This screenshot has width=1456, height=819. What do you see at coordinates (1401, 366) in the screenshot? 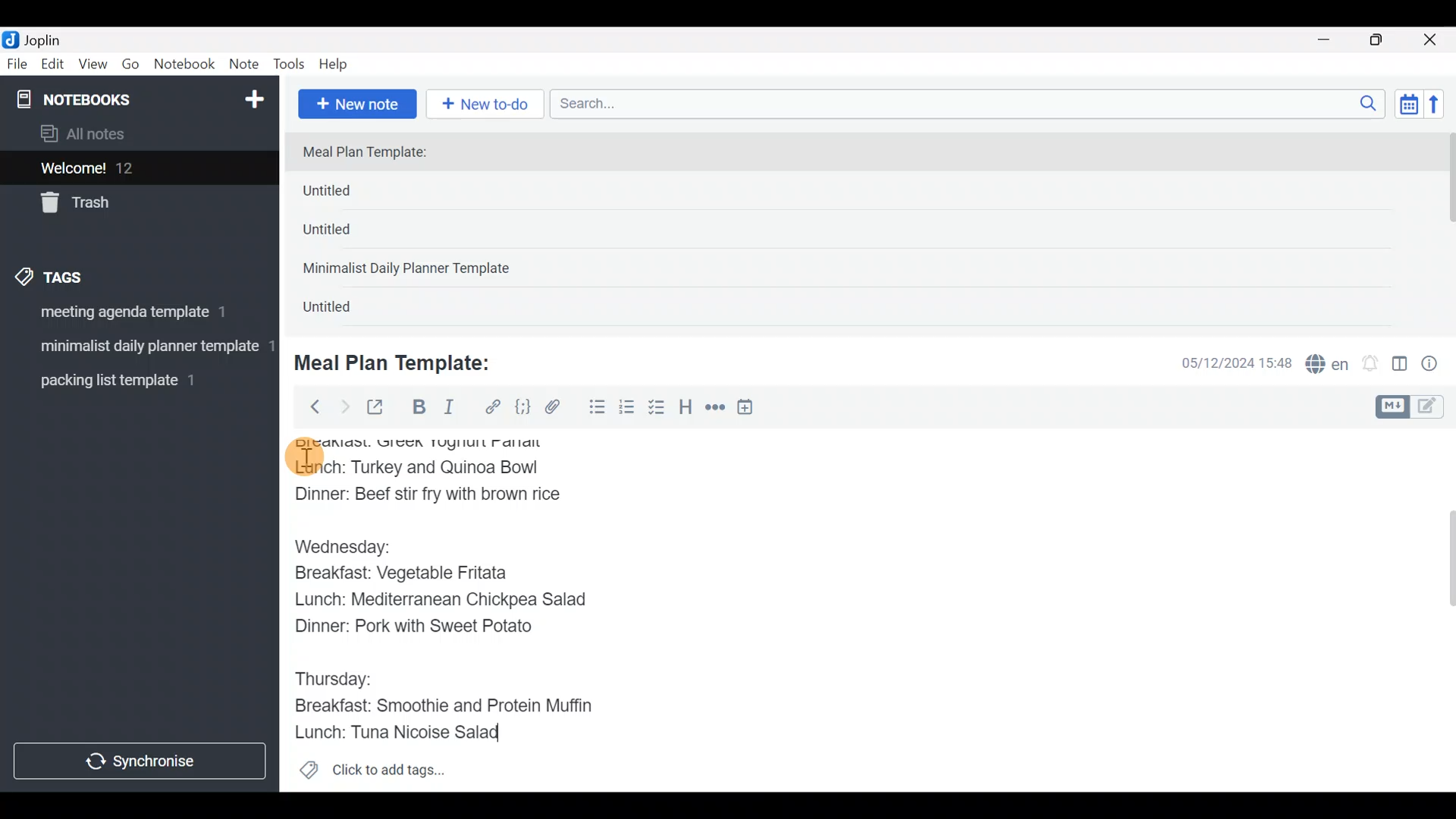
I see `Toggle editor layout` at bounding box center [1401, 366].